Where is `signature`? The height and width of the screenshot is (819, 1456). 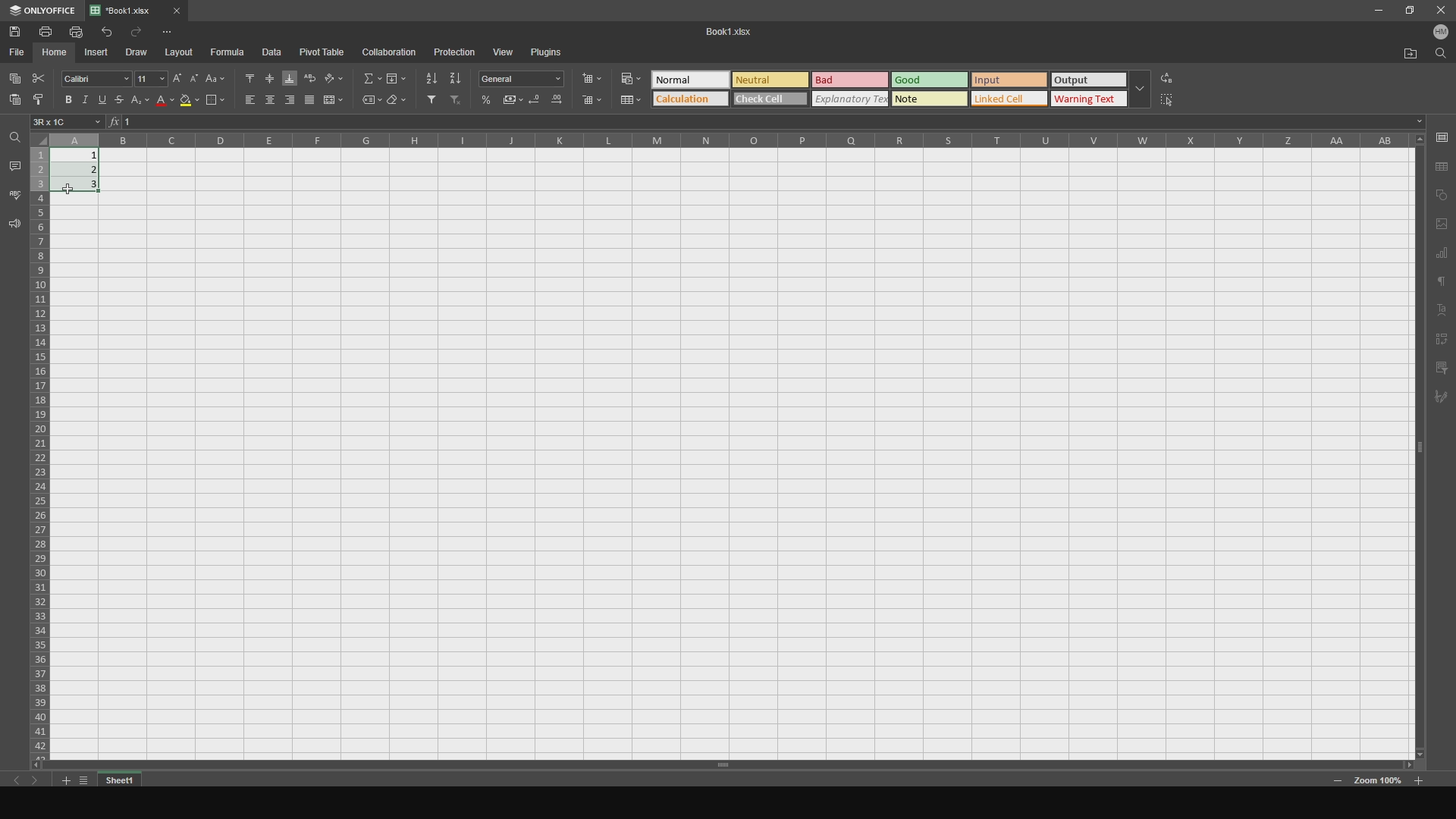
signature is located at coordinates (1444, 400).